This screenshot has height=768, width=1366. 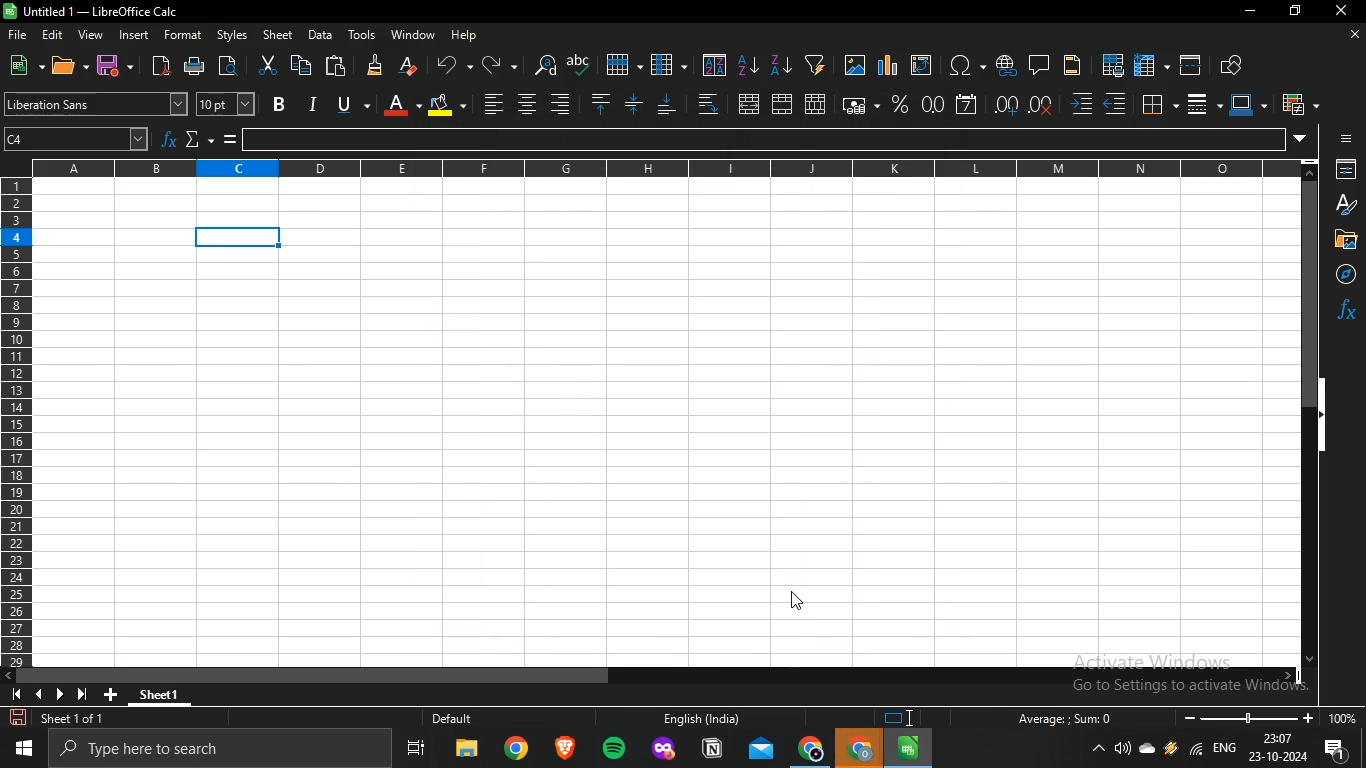 What do you see at coordinates (473, 719) in the screenshot?
I see `Default` at bounding box center [473, 719].